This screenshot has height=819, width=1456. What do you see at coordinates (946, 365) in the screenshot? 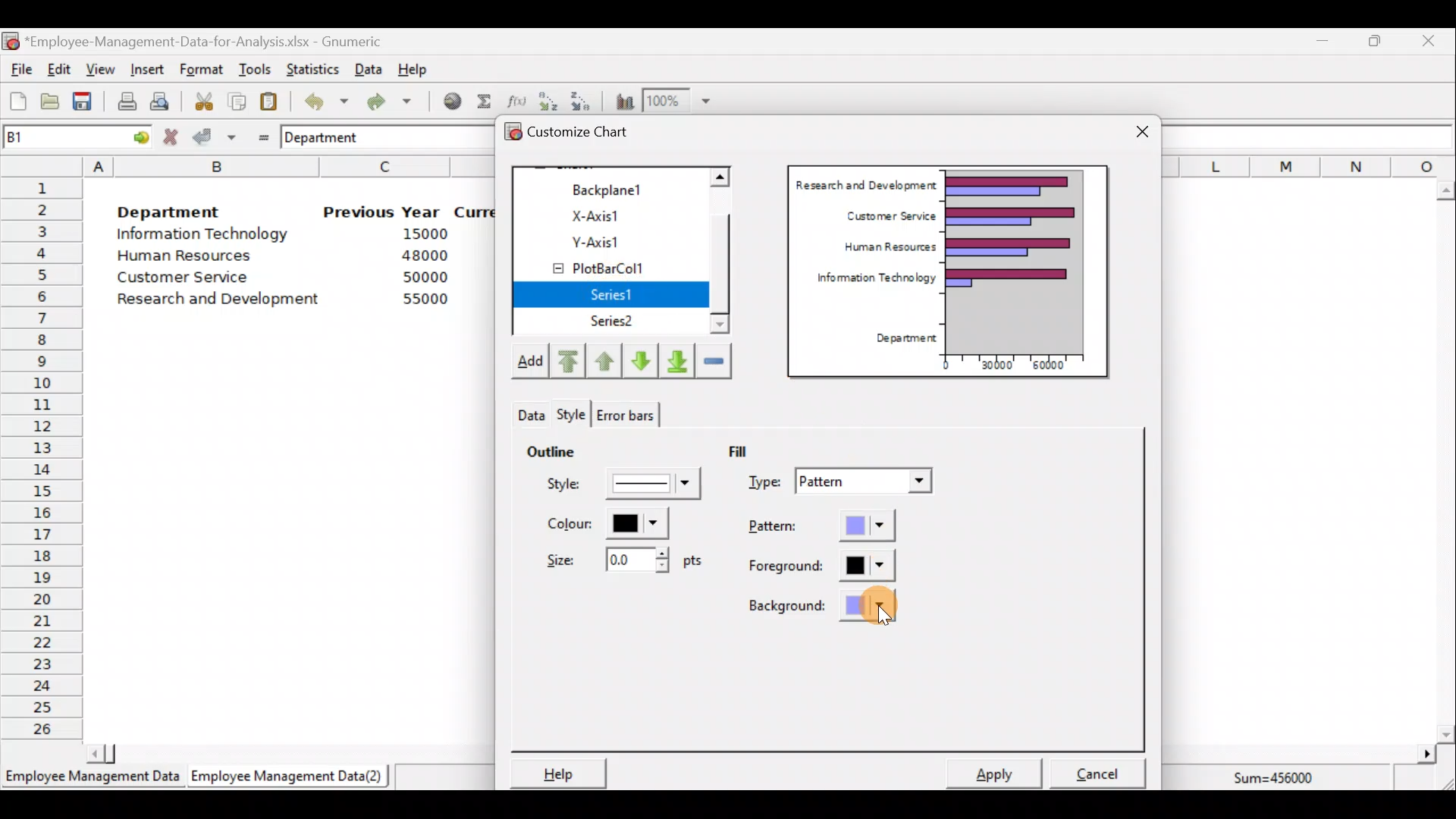
I see `0` at bounding box center [946, 365].